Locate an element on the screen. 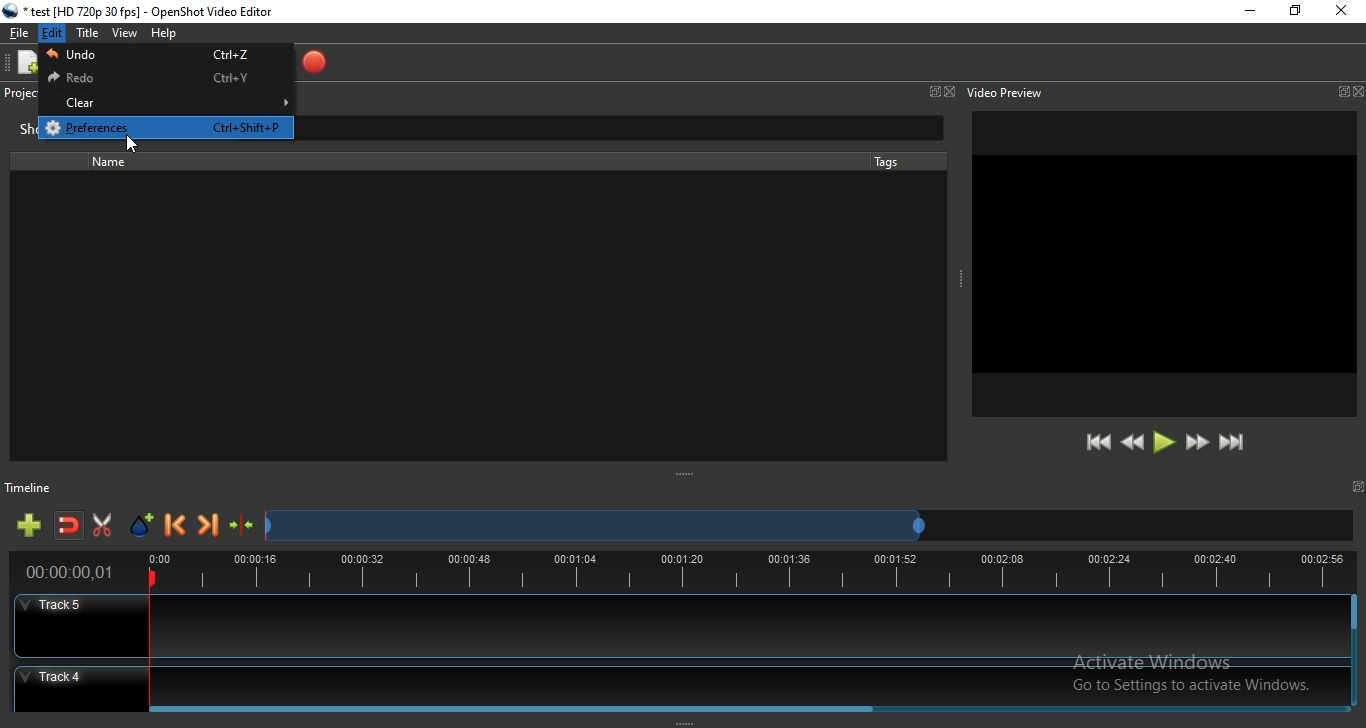 This screenshot has height=728, width=1366. undo is located at coordinates (166, 57).